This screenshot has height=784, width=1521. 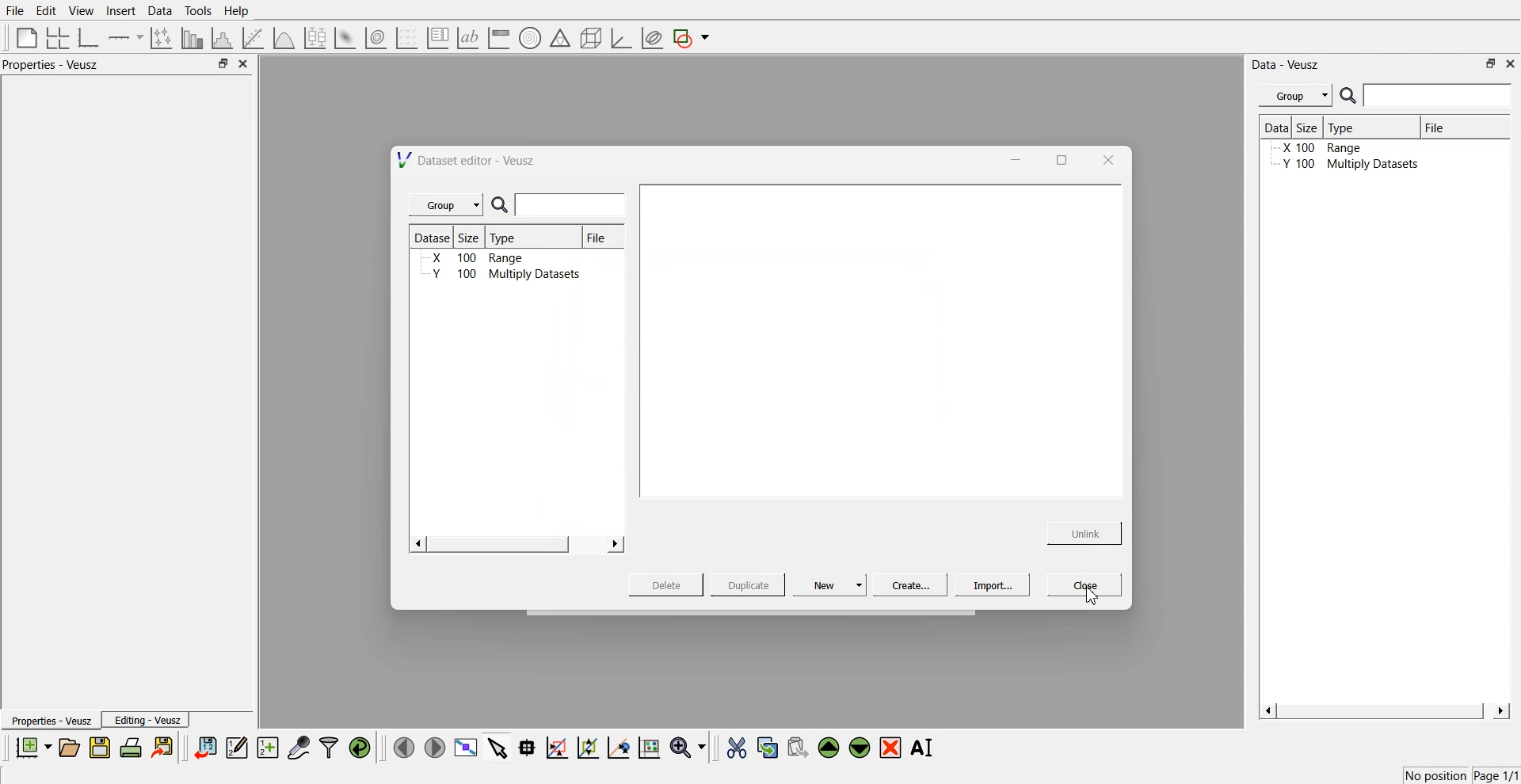 I want to click on Size, so click(x=474, y=238).